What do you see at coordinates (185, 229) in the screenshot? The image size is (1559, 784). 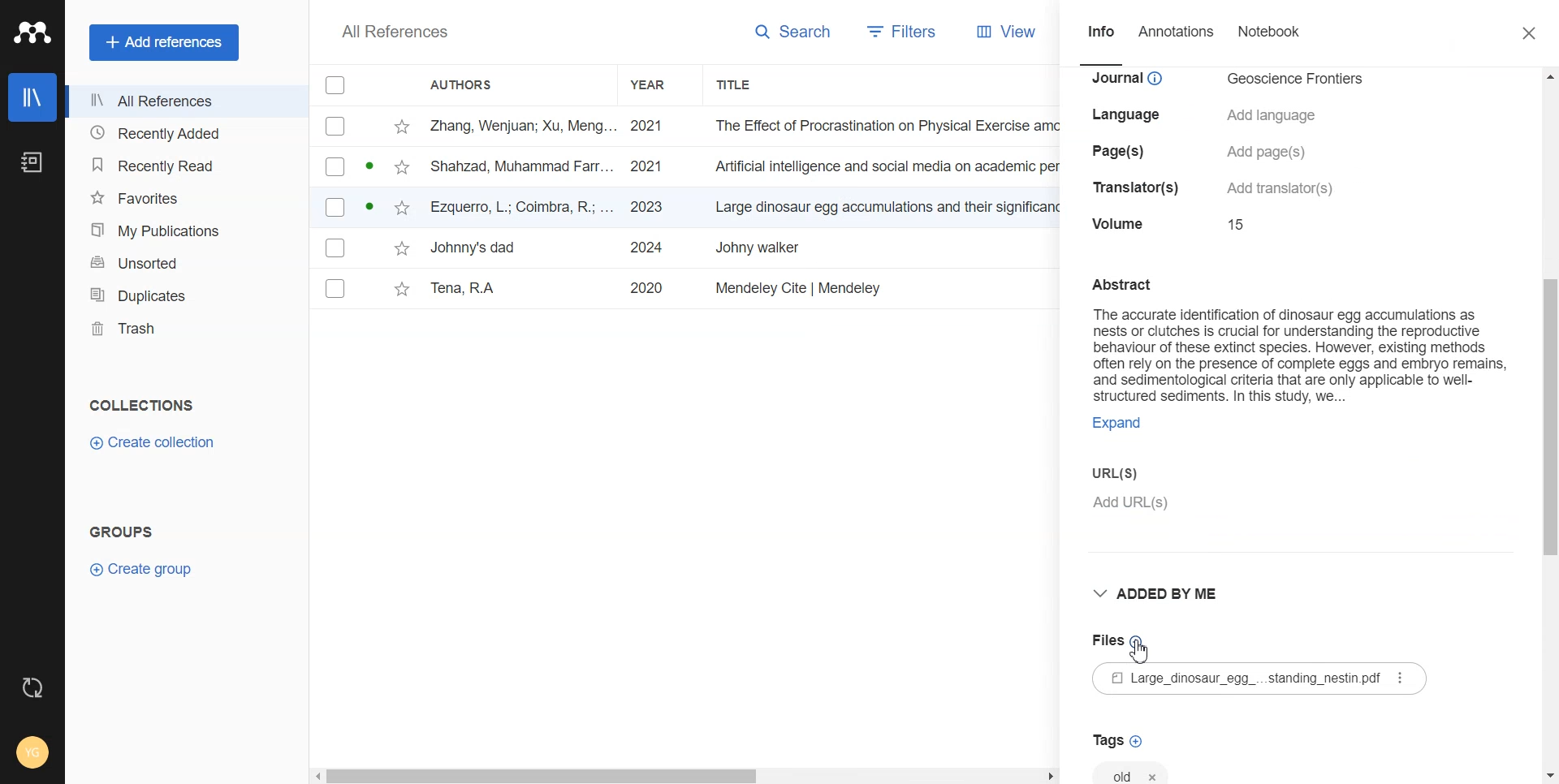 I see `My Publication` at bounding box center [185, 229].